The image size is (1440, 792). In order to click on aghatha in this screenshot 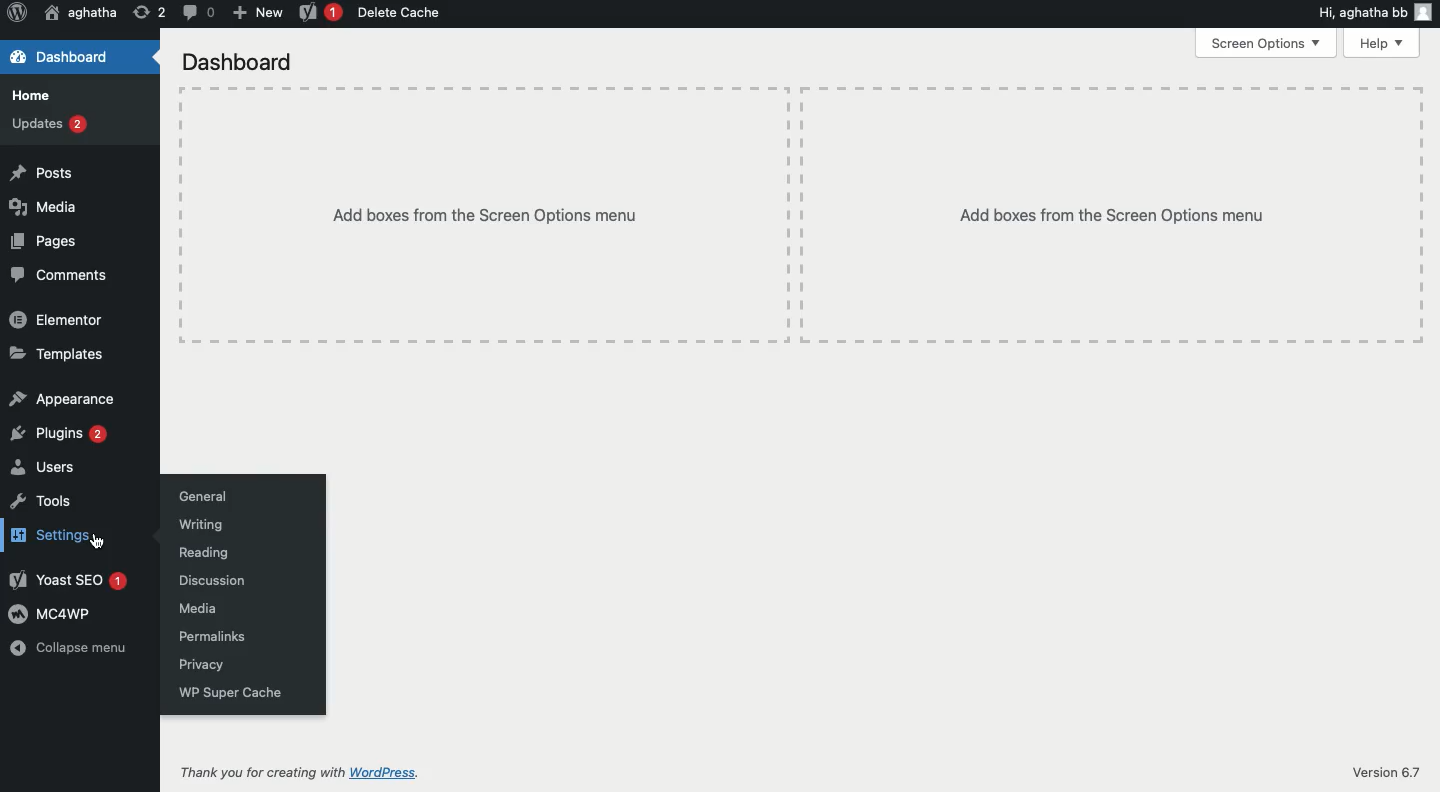, I will do `click(75, 14)`.